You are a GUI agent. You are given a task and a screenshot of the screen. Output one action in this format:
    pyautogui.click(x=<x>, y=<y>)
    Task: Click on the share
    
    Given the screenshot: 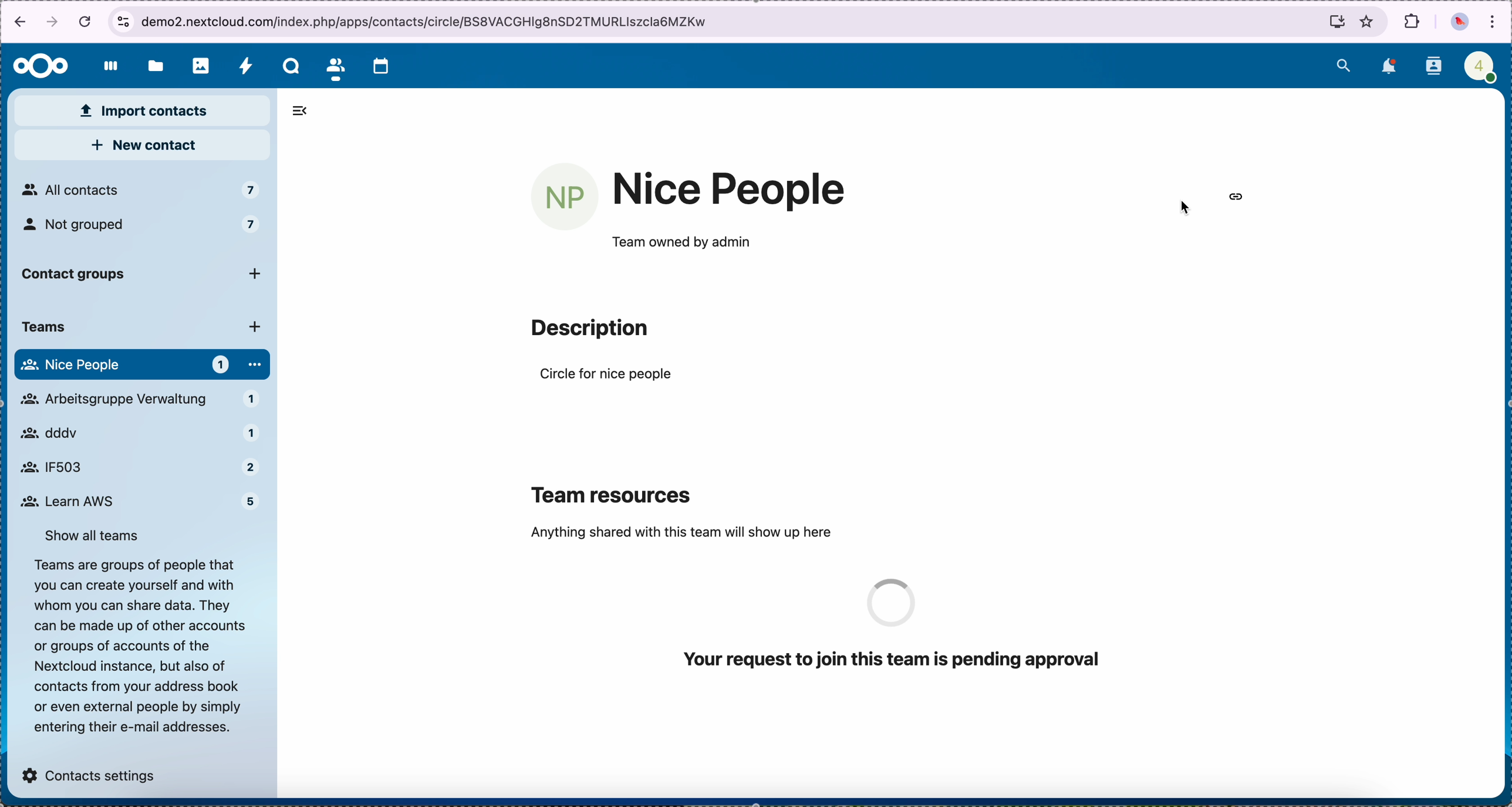 What is the action you would take?
    pyautogui.click(x=1238, y=198)
    